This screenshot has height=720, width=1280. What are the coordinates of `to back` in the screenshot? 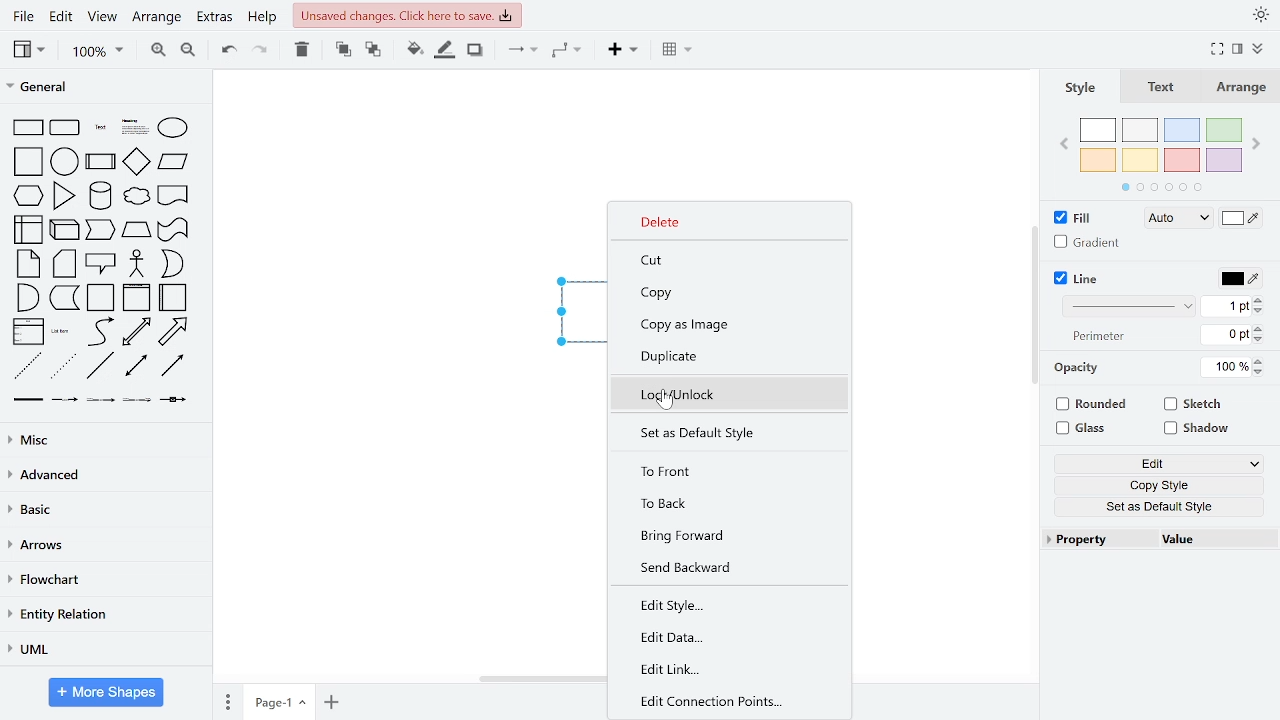 It's located at (373, 50).